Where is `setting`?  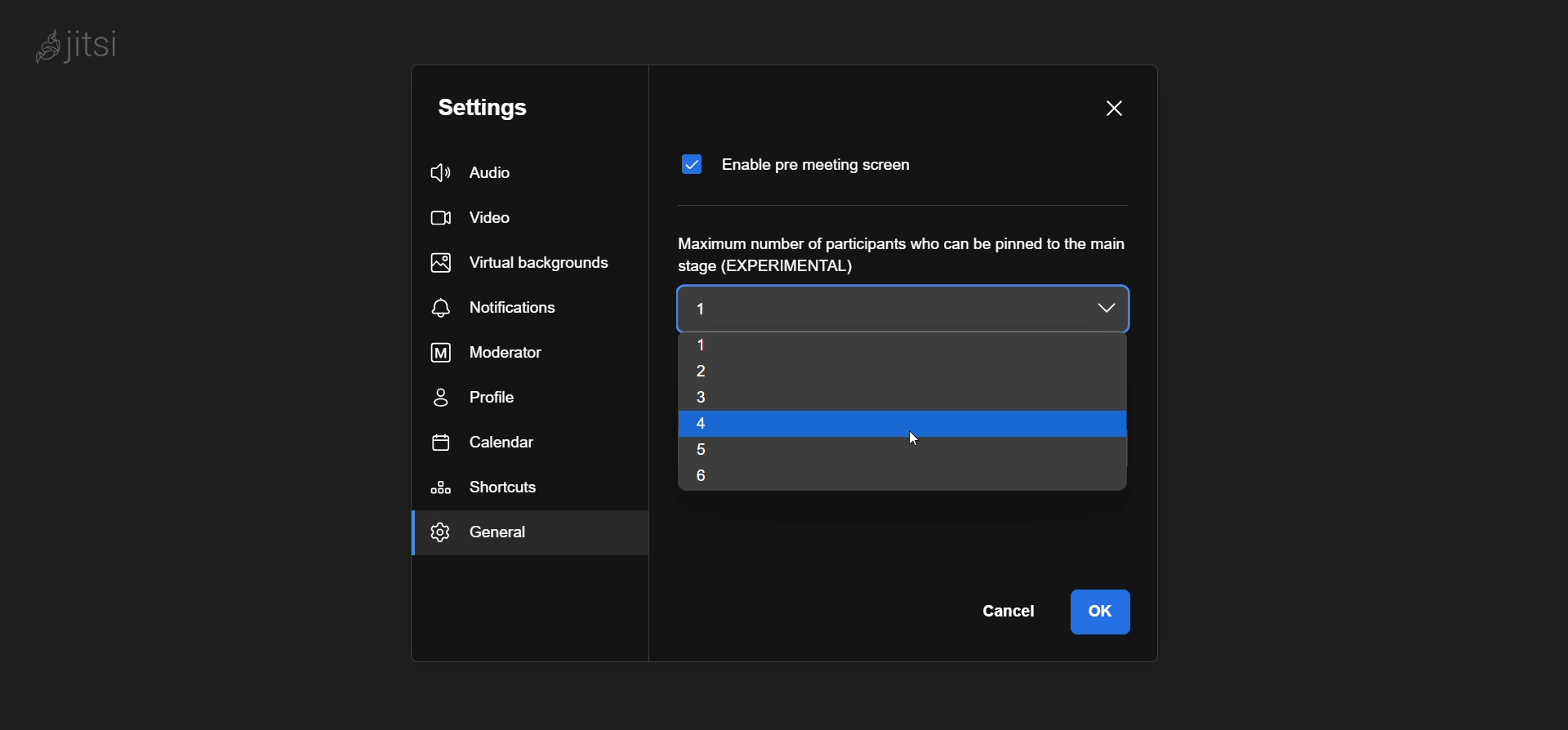 setting is located at coordinates (485, 108).